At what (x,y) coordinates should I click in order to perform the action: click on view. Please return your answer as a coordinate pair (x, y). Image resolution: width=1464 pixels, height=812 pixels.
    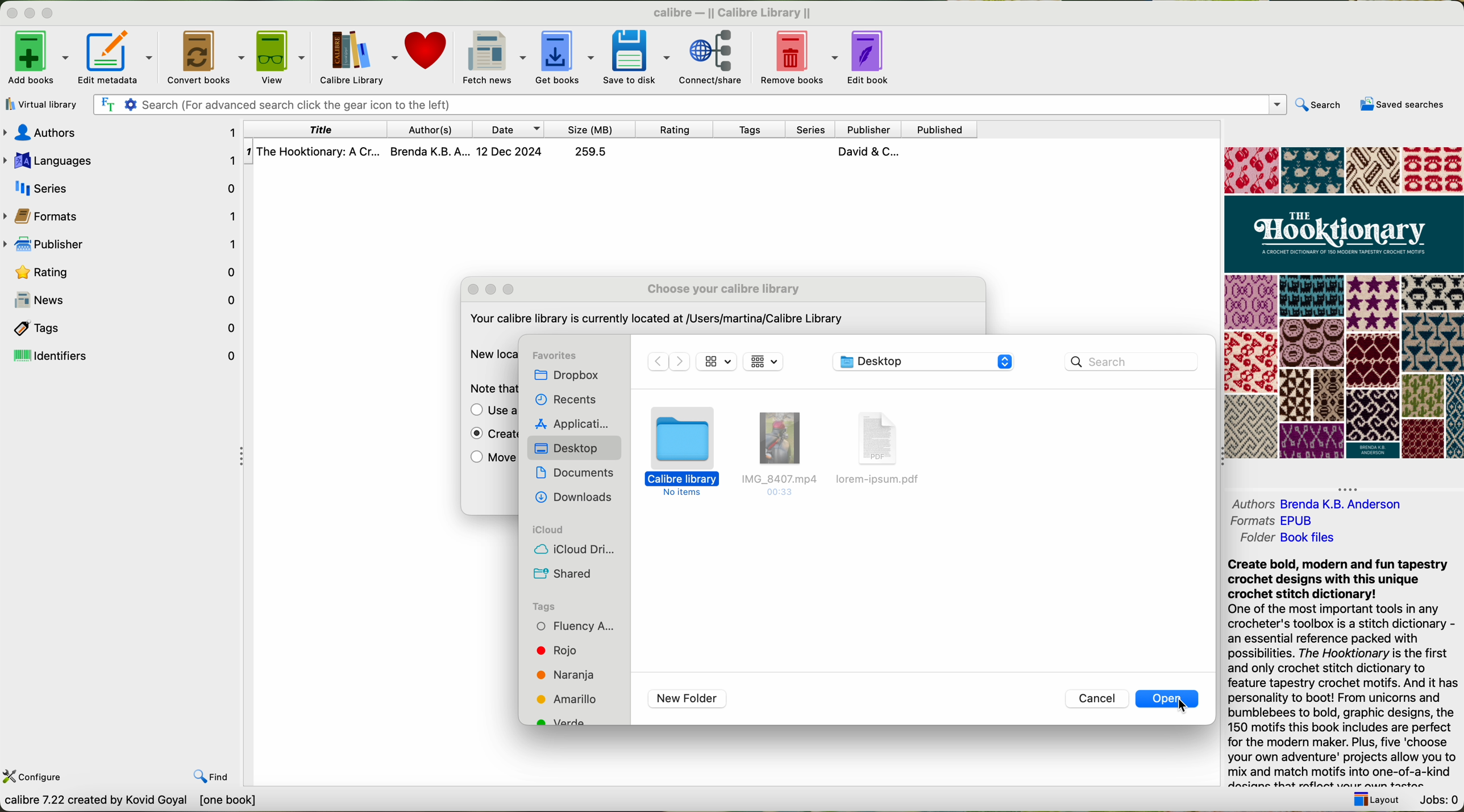
    Looking at the image, I should click on (279, 56).